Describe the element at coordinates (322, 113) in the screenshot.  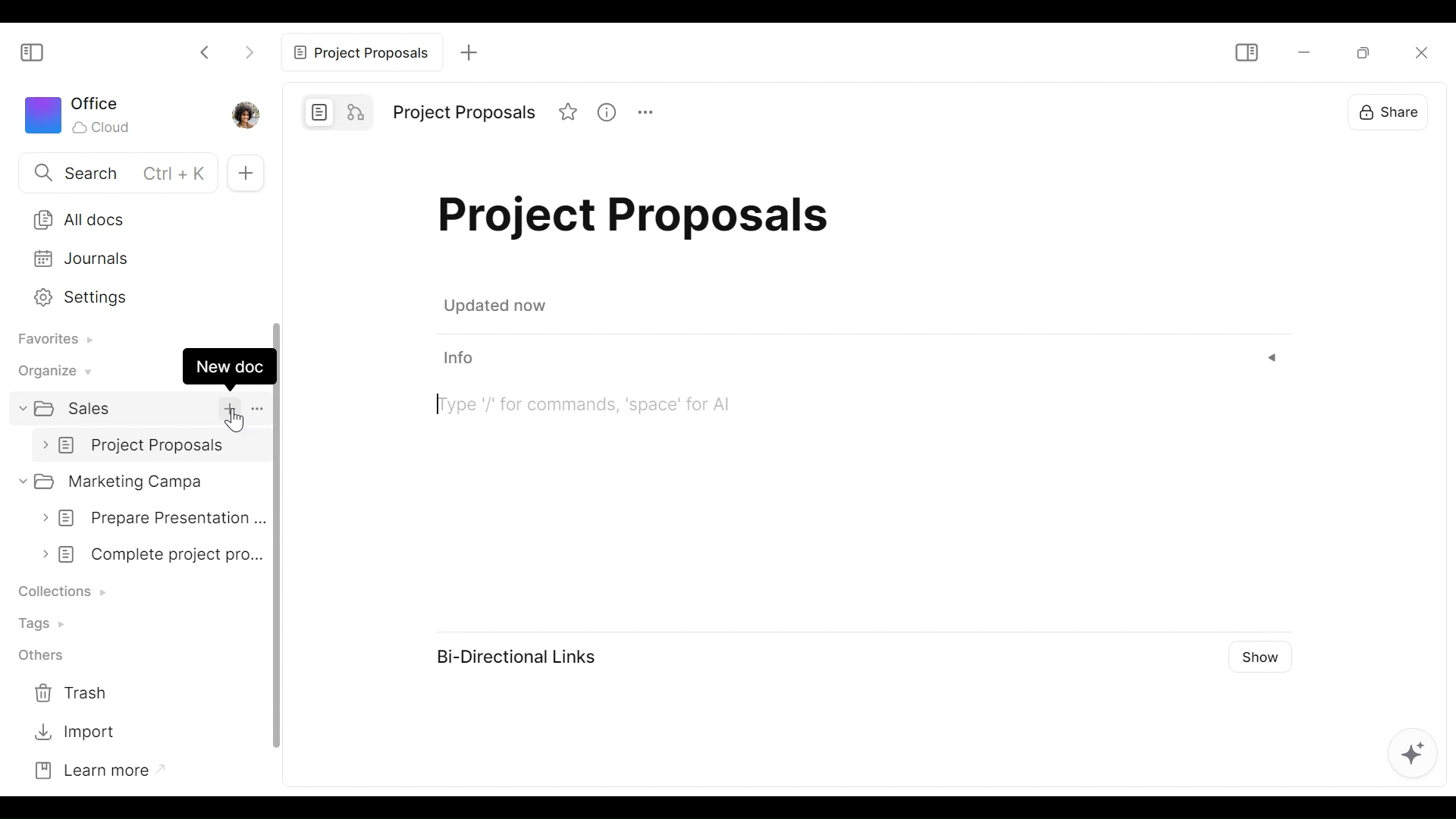
I see `Page` at that location.